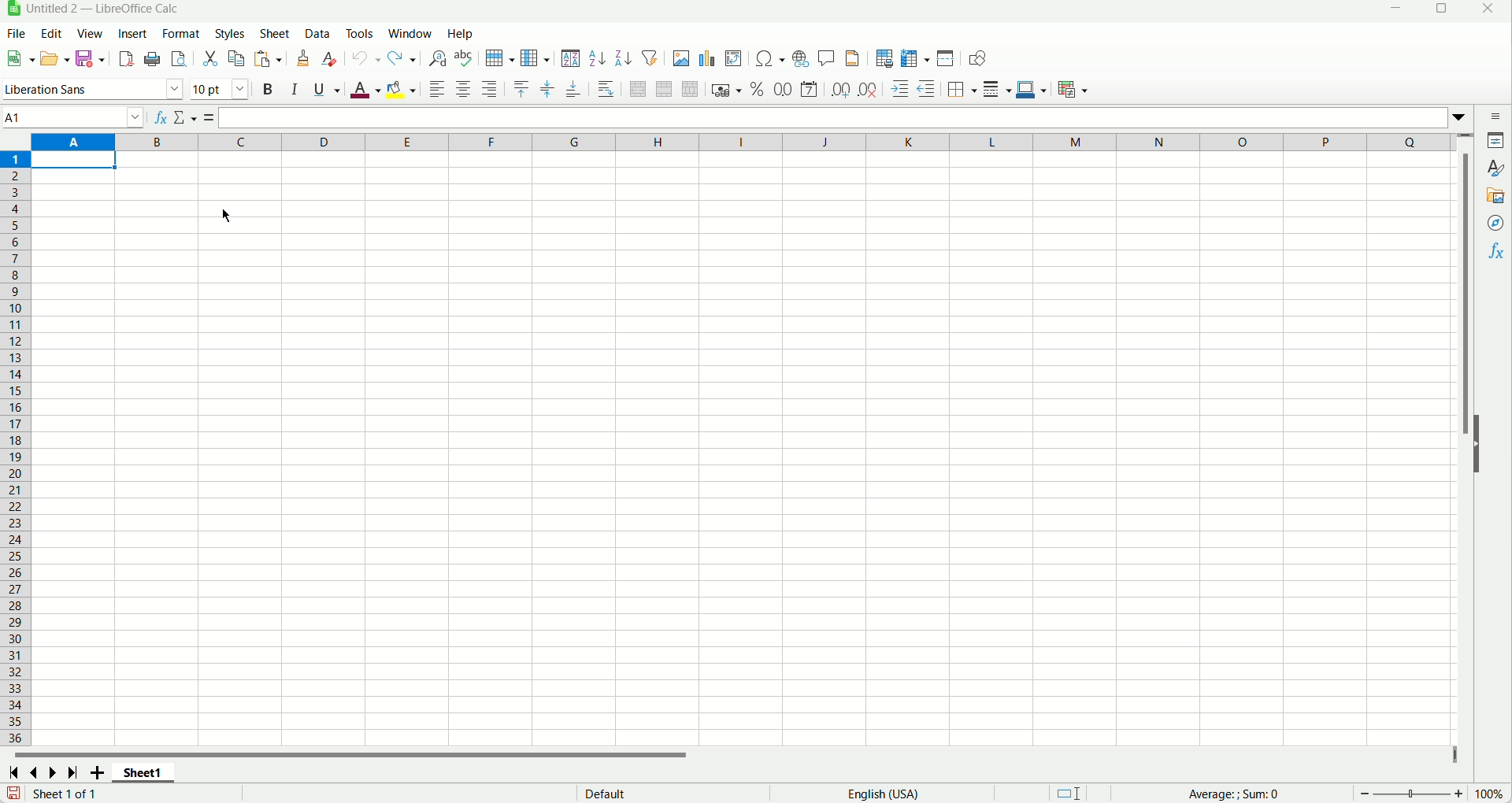 This screenshot has width=1512, height=803. Describe the element at coordinates (1496, 194) in the screenshot. I see `Gallery` at that location.